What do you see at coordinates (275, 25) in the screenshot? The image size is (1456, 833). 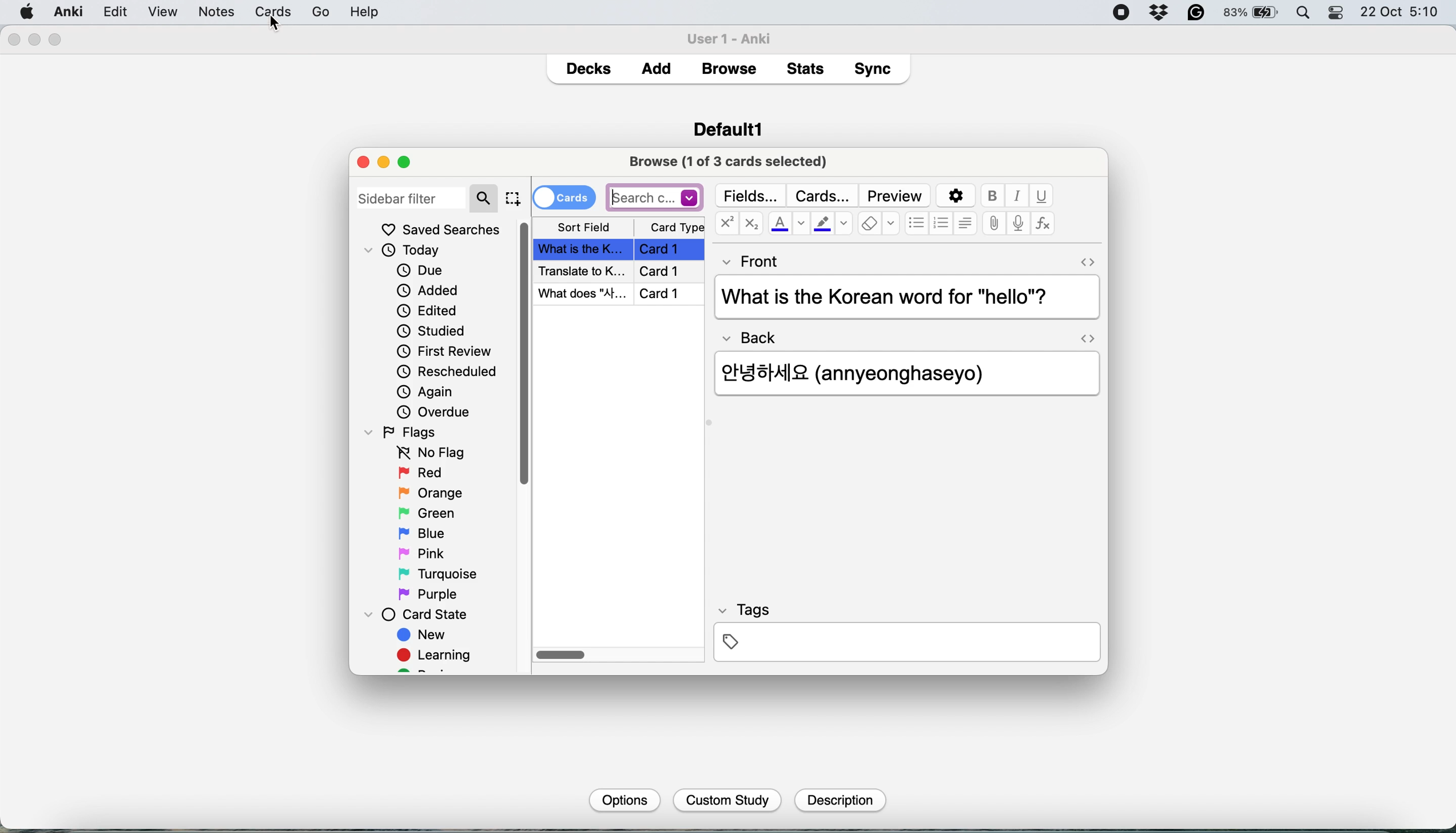 I see `cursor` at bounding box center [275, 25].